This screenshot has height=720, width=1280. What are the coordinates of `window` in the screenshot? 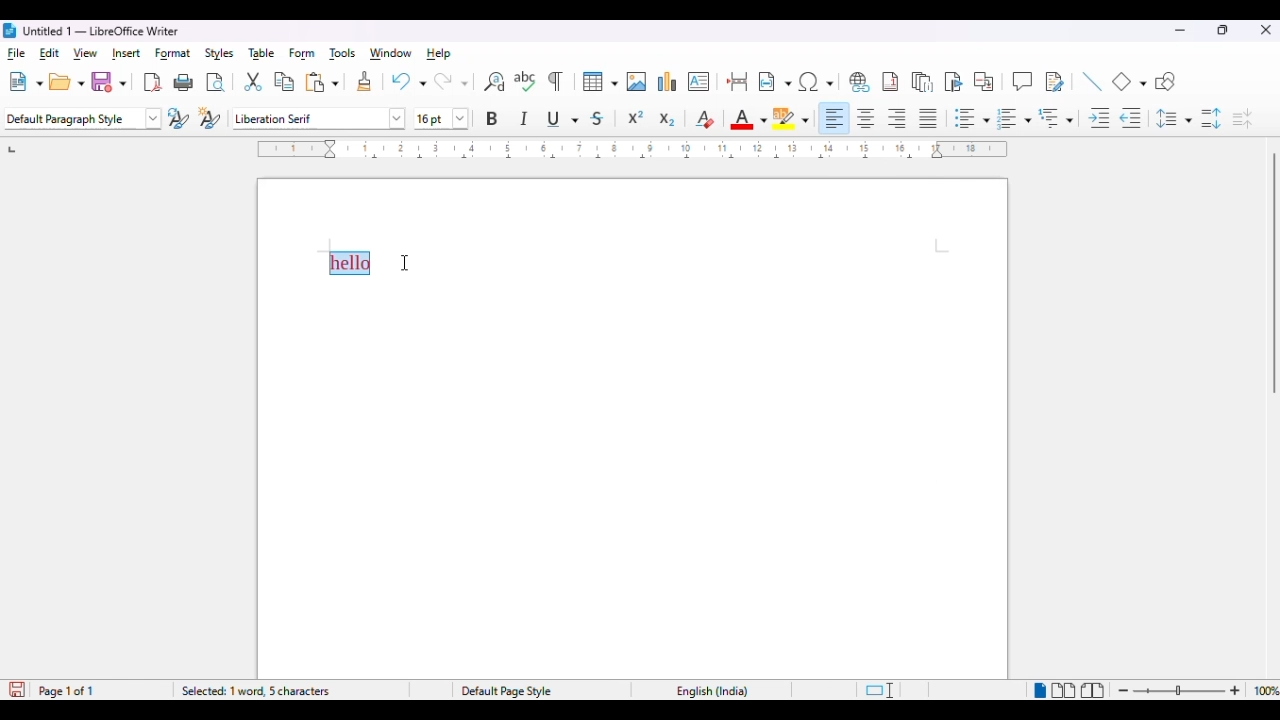 It's located at (390, 53).